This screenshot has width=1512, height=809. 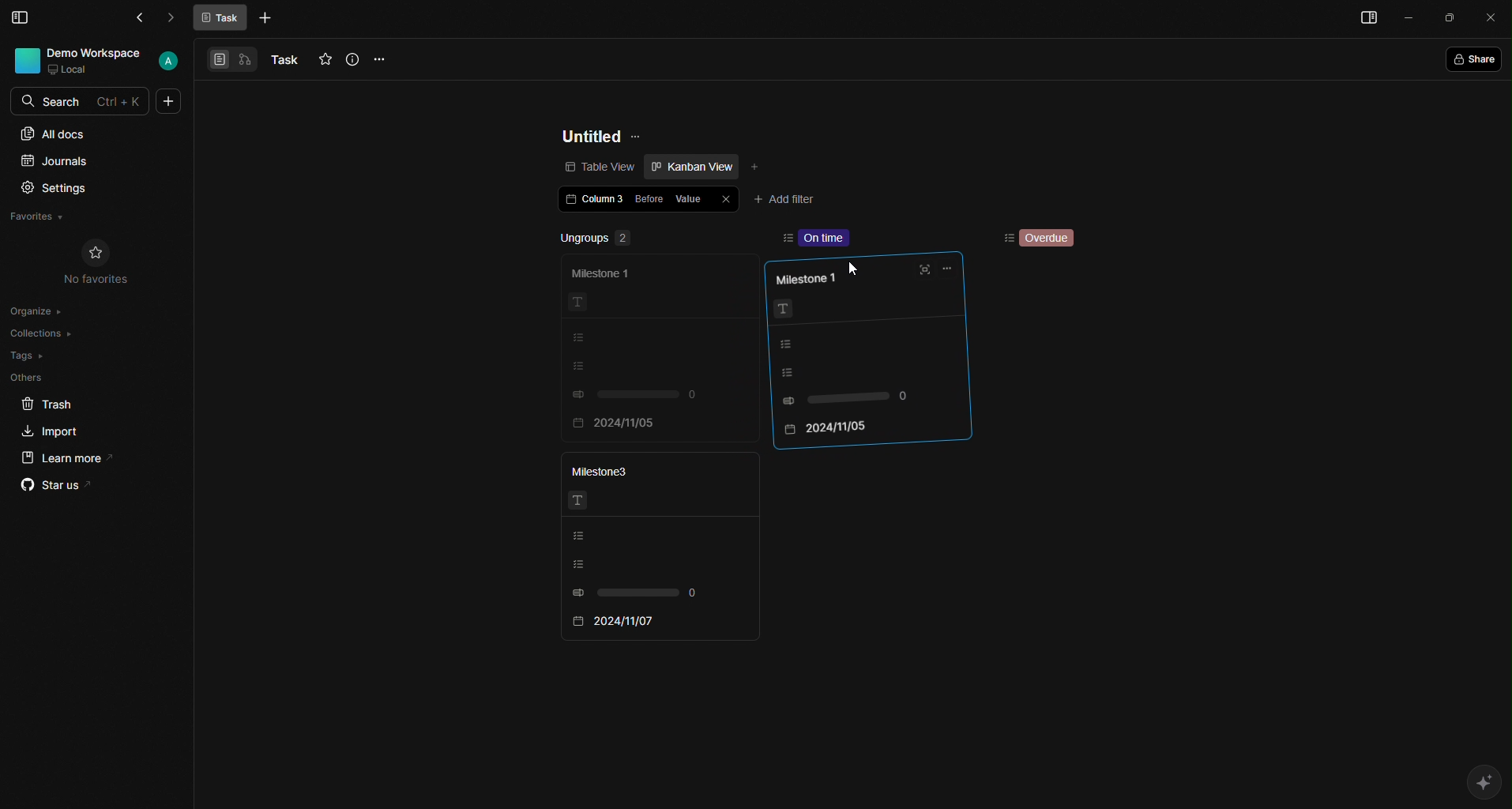 What do you see at coordinates (1411, 16) in the screenshot?
I see `Minimize` at bounding box center [1411, 16].